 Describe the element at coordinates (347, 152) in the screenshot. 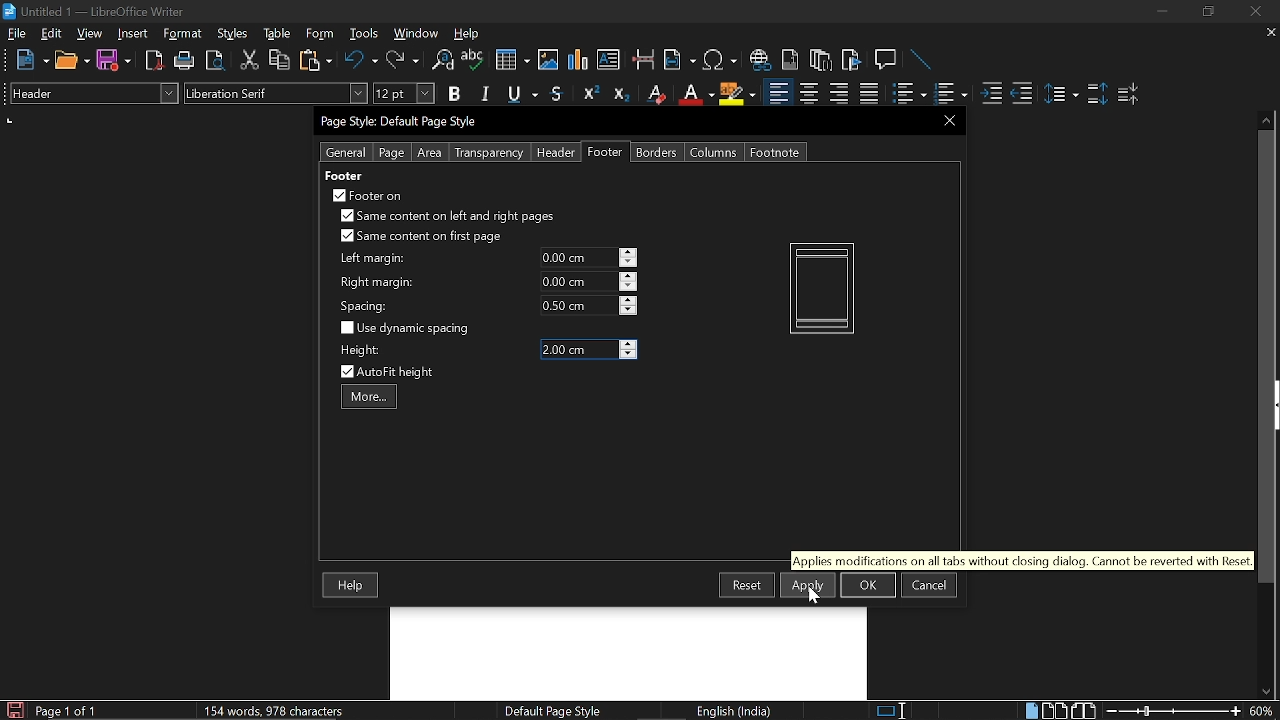

I see `General` at that location.